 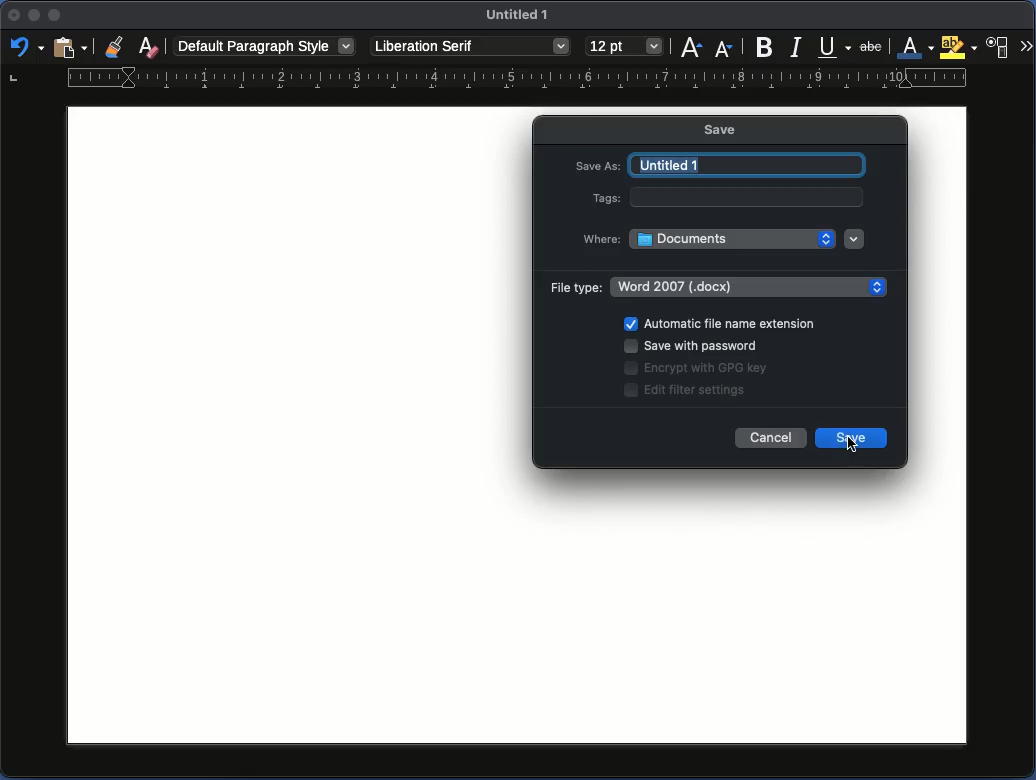 What do you see at coordinates (23, 49) in the screenshot?
I see `Redo` at bounding box center [23, 49].